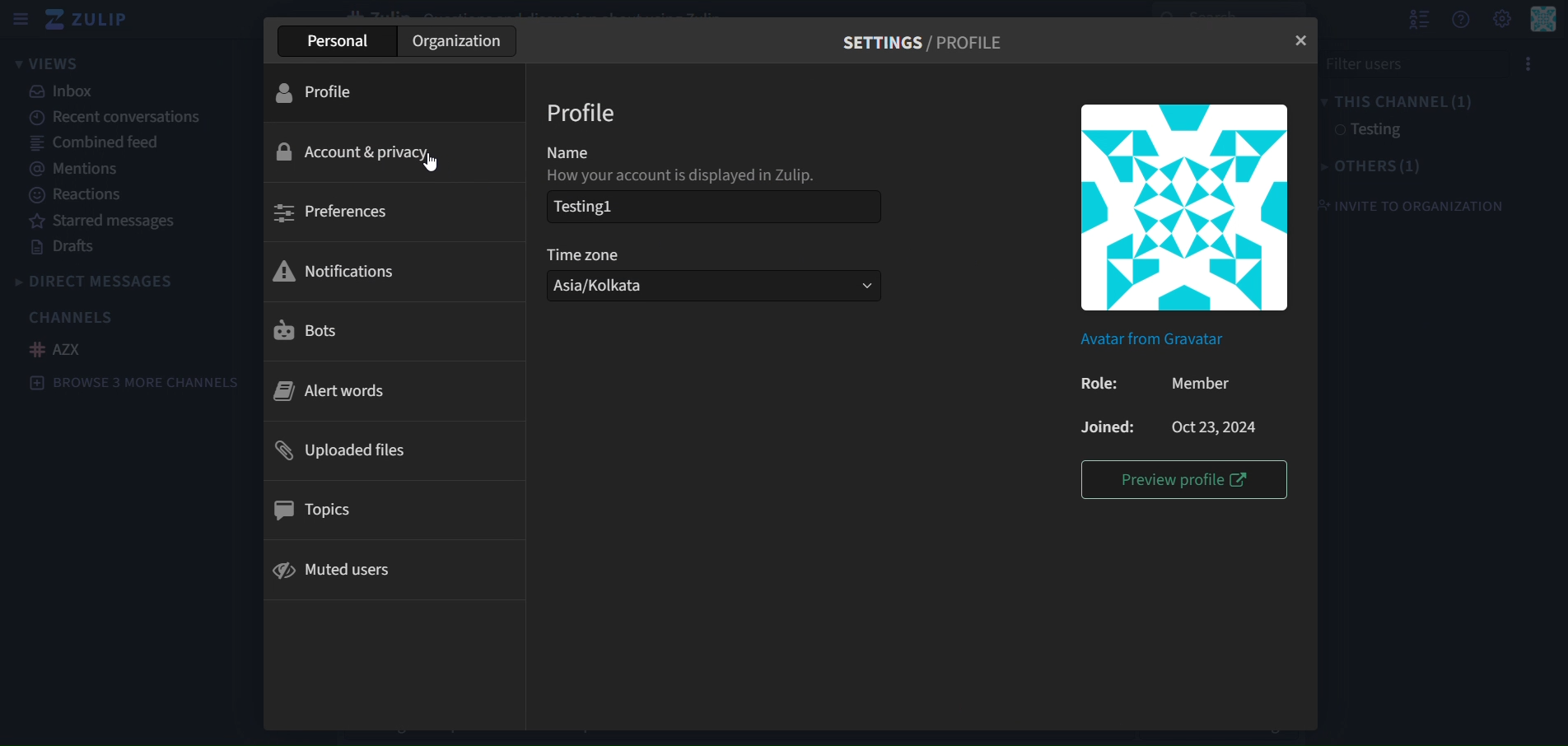 Image resolution: width=1568 pixels, height=746 pixels. Describe the element at coordinates (433, 163) in the screenshot. I see `Cursor` at that location.